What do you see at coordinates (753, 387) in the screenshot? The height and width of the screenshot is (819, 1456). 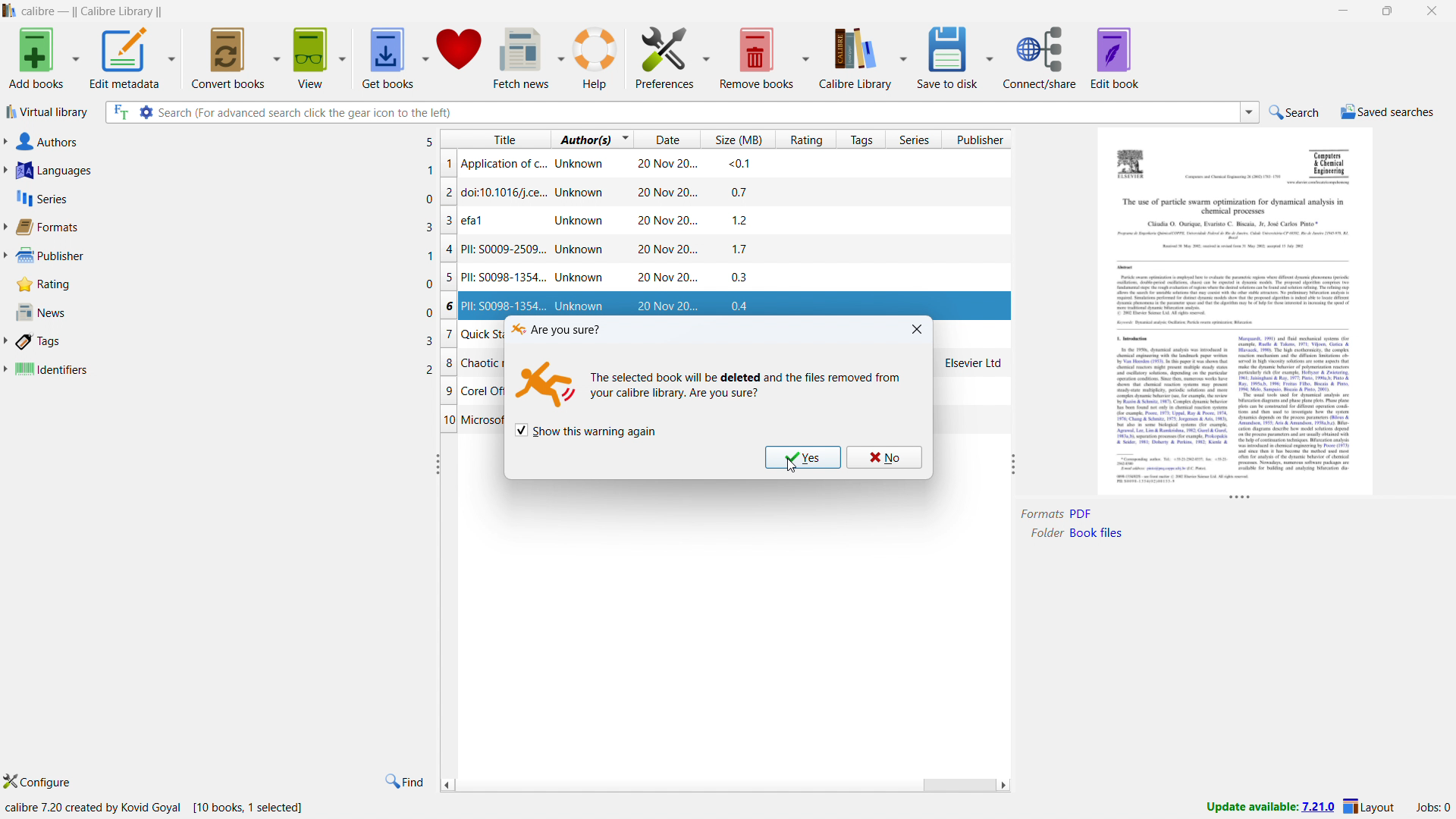 I see `The selected book will be deleted and the files removed from
your calibre library. Are you sure?` at bounding box center [753, 387].